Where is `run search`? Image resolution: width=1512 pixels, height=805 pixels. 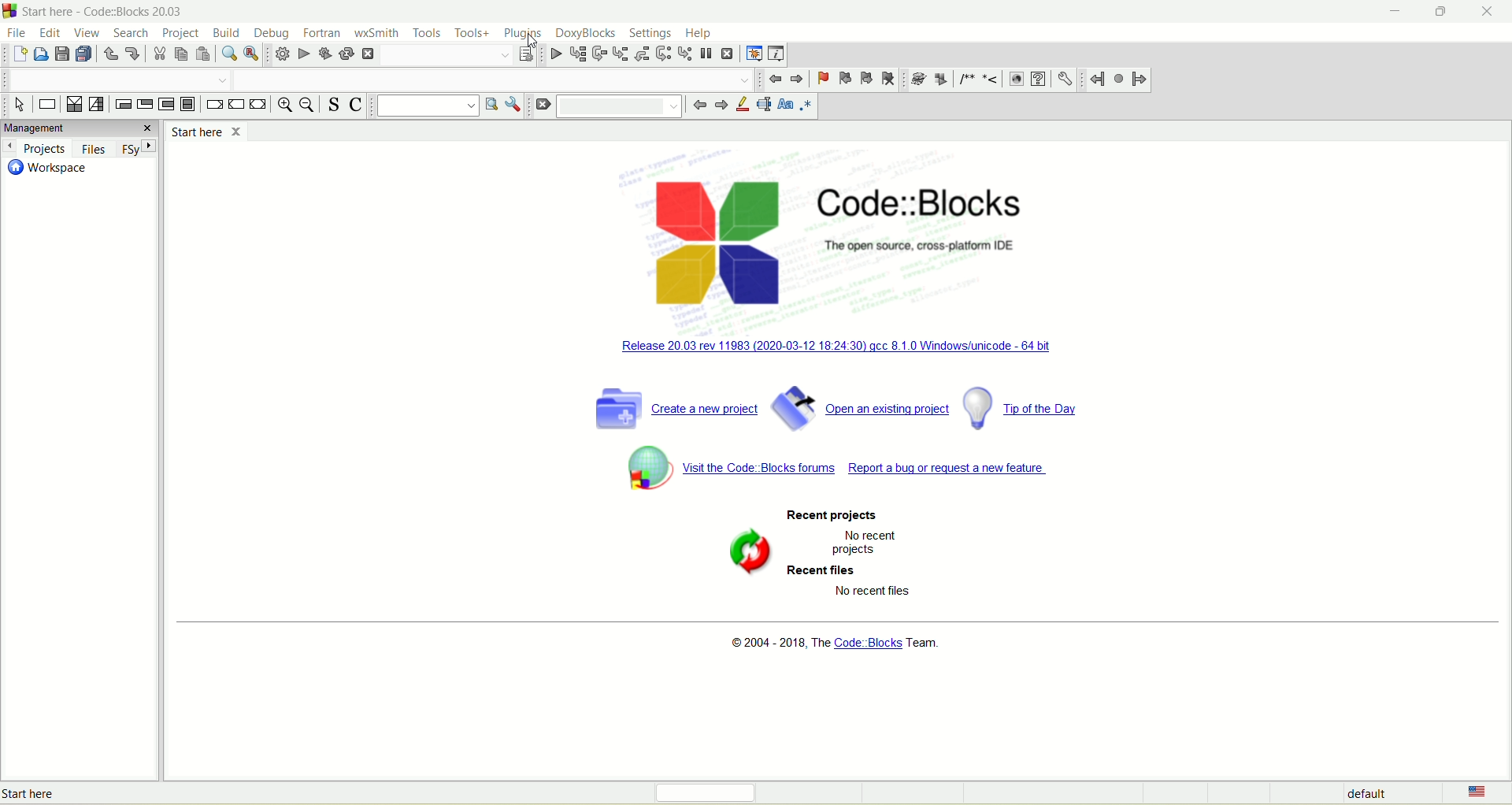 run search is located at coordinates (490, 107).